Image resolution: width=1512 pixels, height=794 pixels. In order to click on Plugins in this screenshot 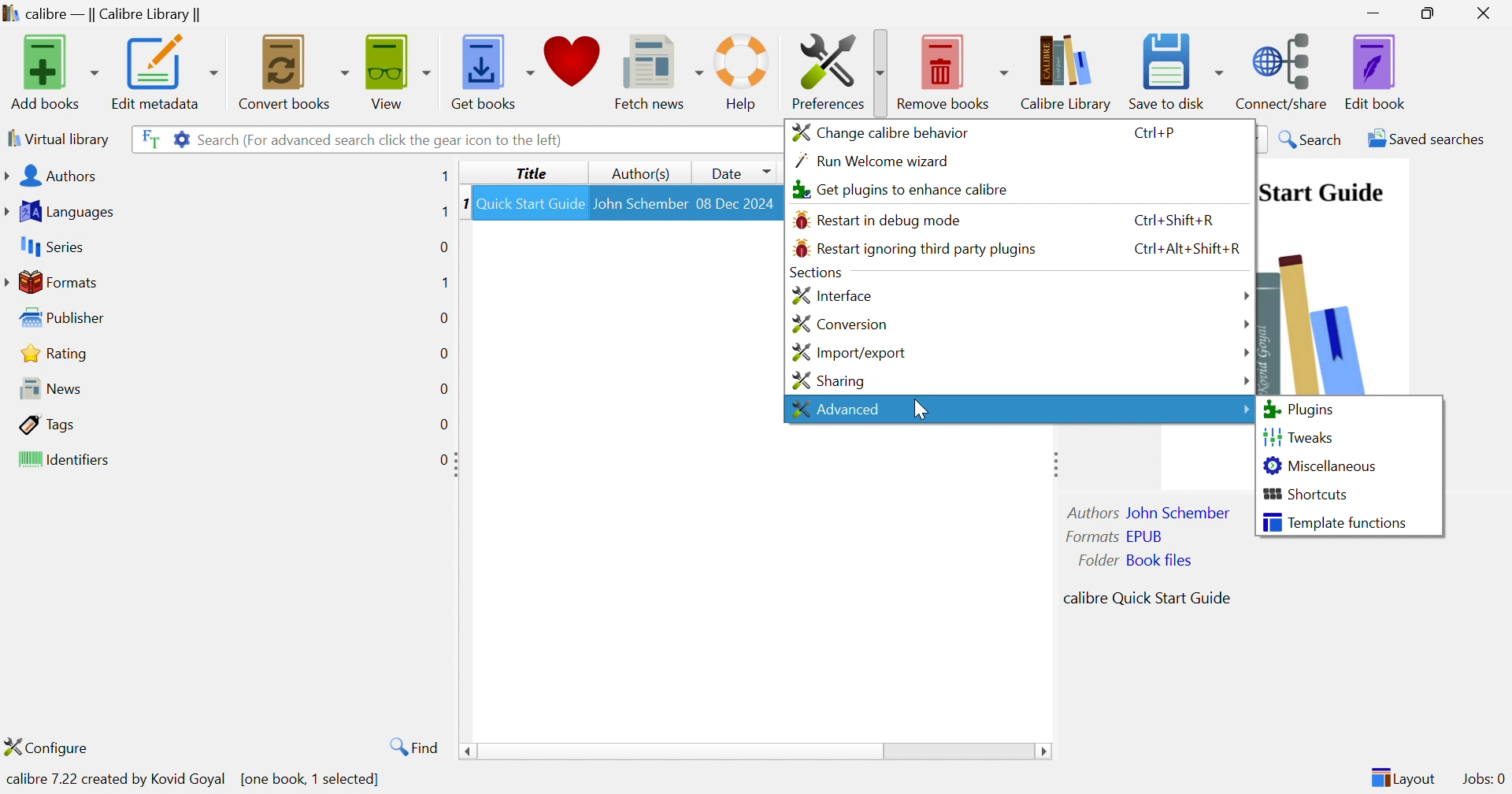, I will do `click(1299, 410)`.